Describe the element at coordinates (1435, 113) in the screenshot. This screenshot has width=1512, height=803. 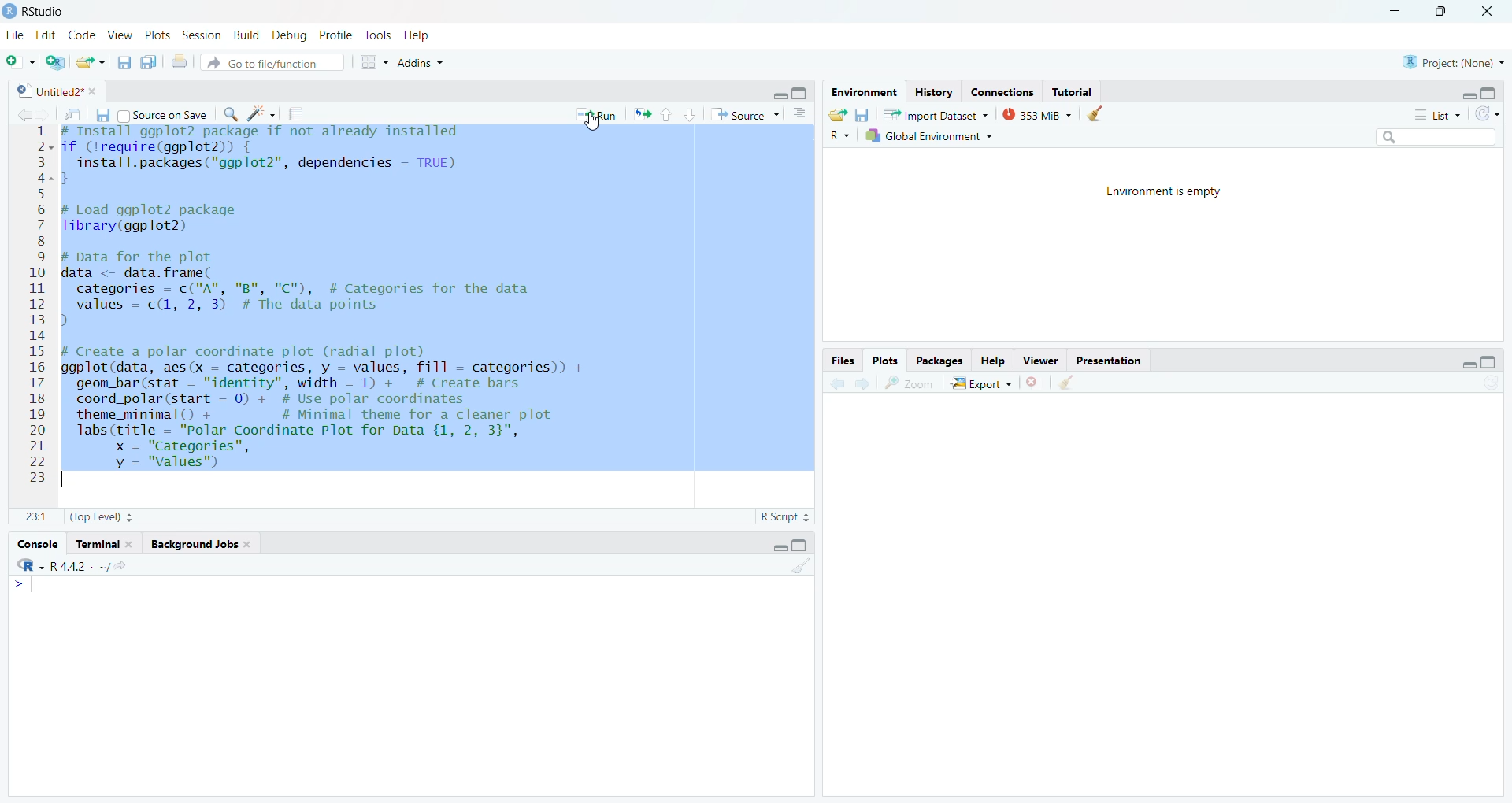
I see `list` at that location.